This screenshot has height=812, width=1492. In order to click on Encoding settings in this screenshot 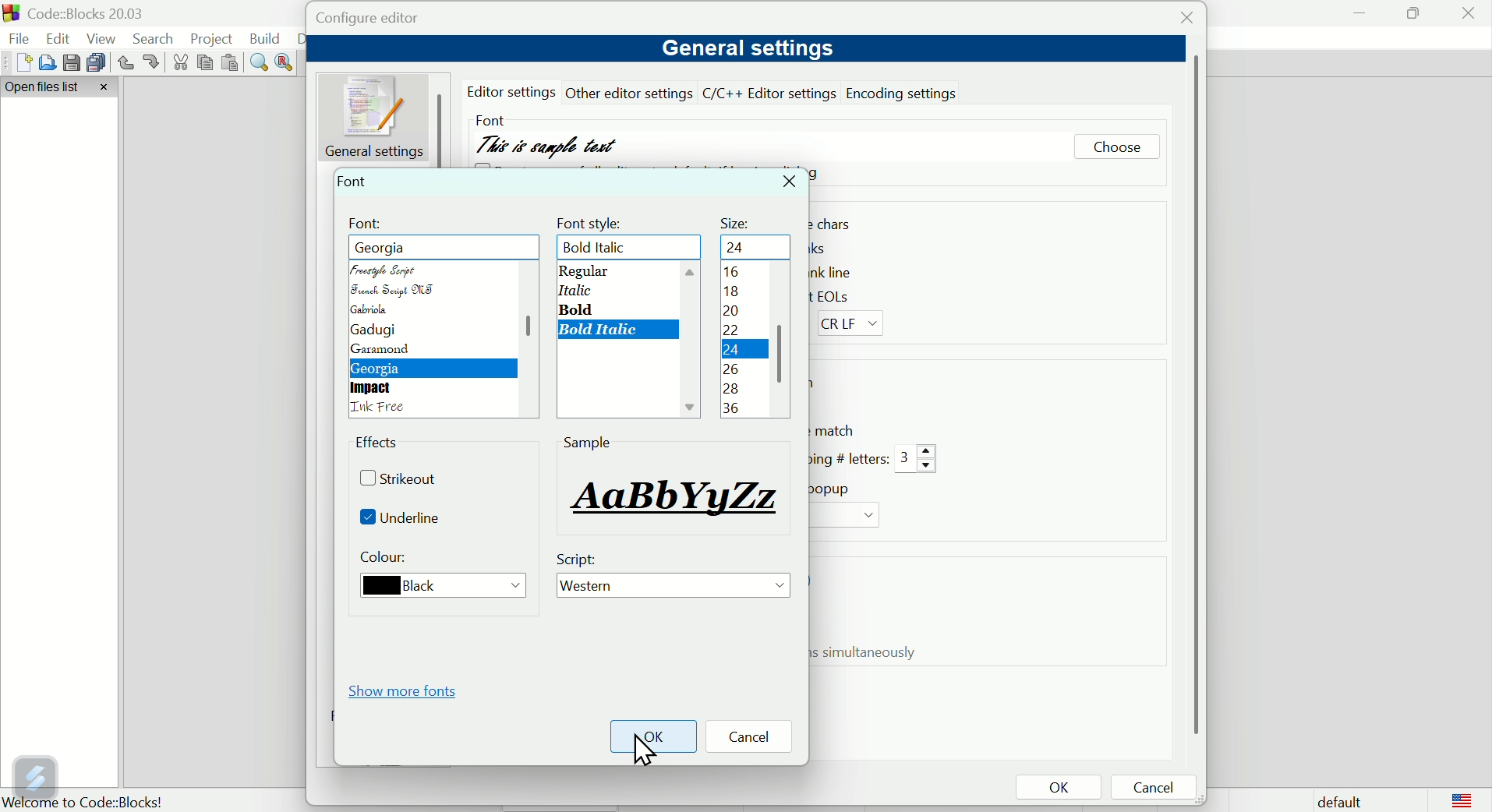, I will do `click(905, 92)`.